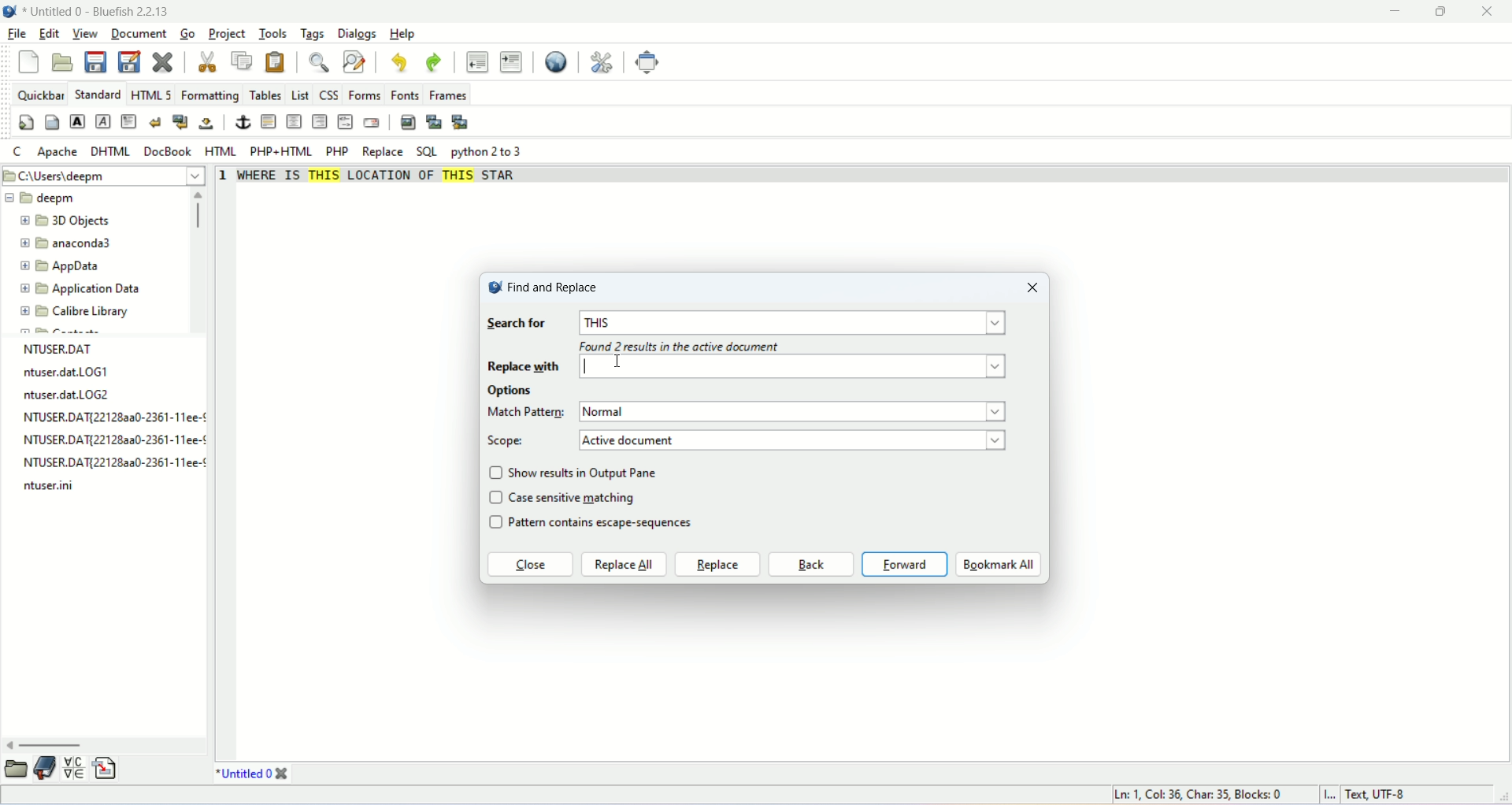 The width and height of the screenshot is (1512, 805). What do you see at coordinates (46, 768) in the screenshot?
I see `bookmakrs` at bounding box center [46, 768].